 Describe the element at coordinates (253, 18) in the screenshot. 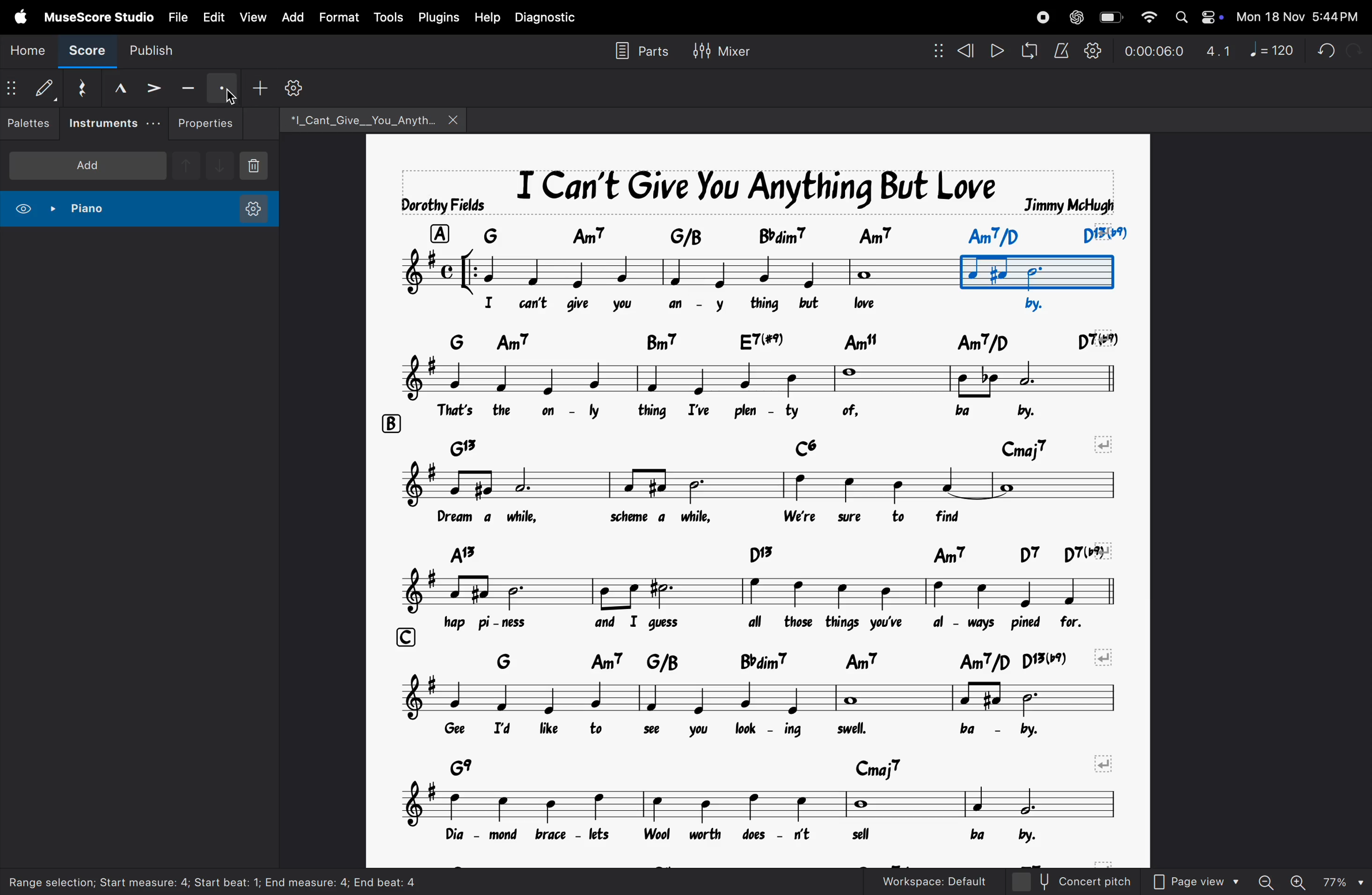

I see `view` at that location.